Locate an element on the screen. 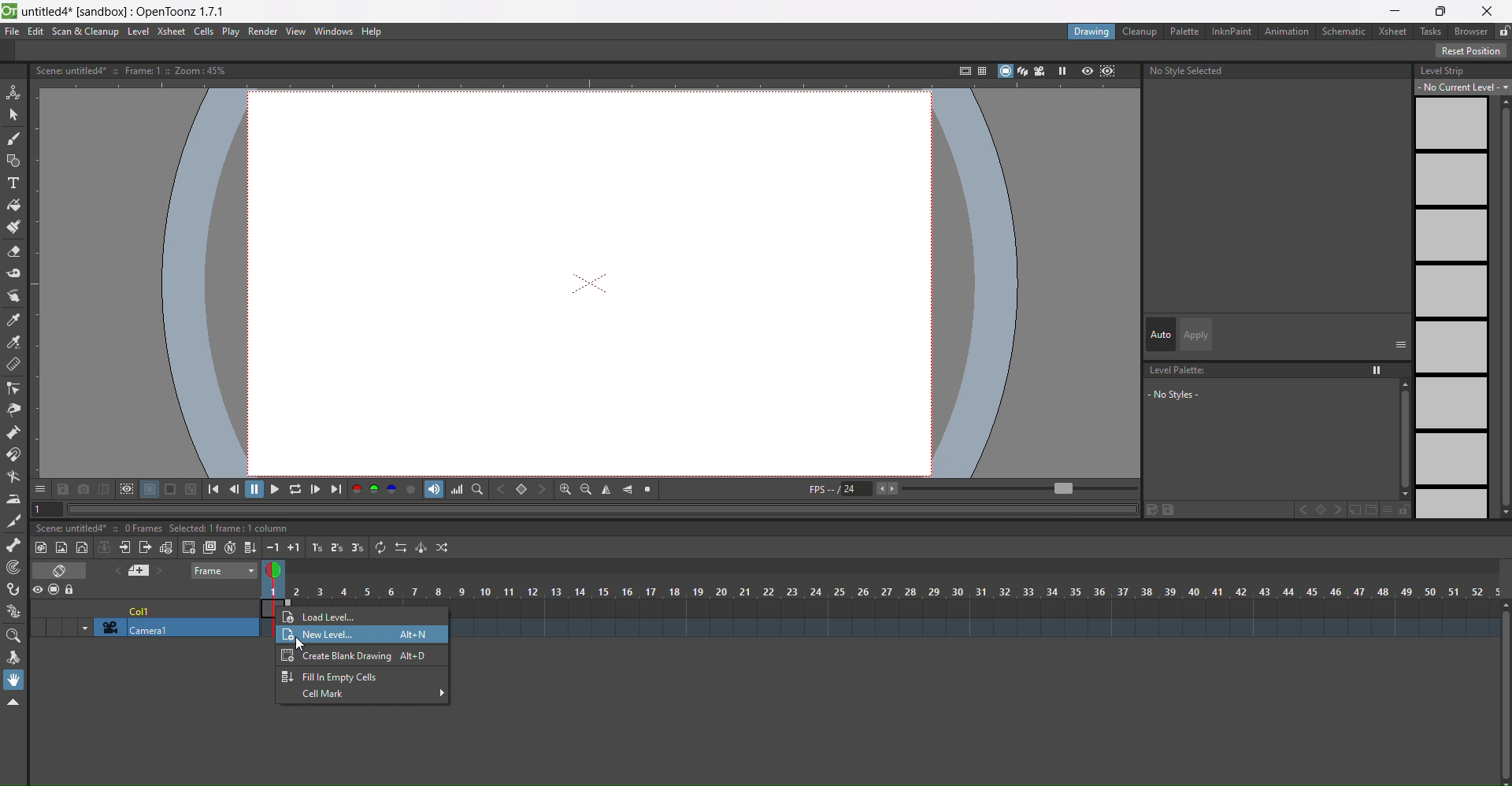 This screenshot has width=1512, height=786. histogram  is located at coordinates (457, 489).